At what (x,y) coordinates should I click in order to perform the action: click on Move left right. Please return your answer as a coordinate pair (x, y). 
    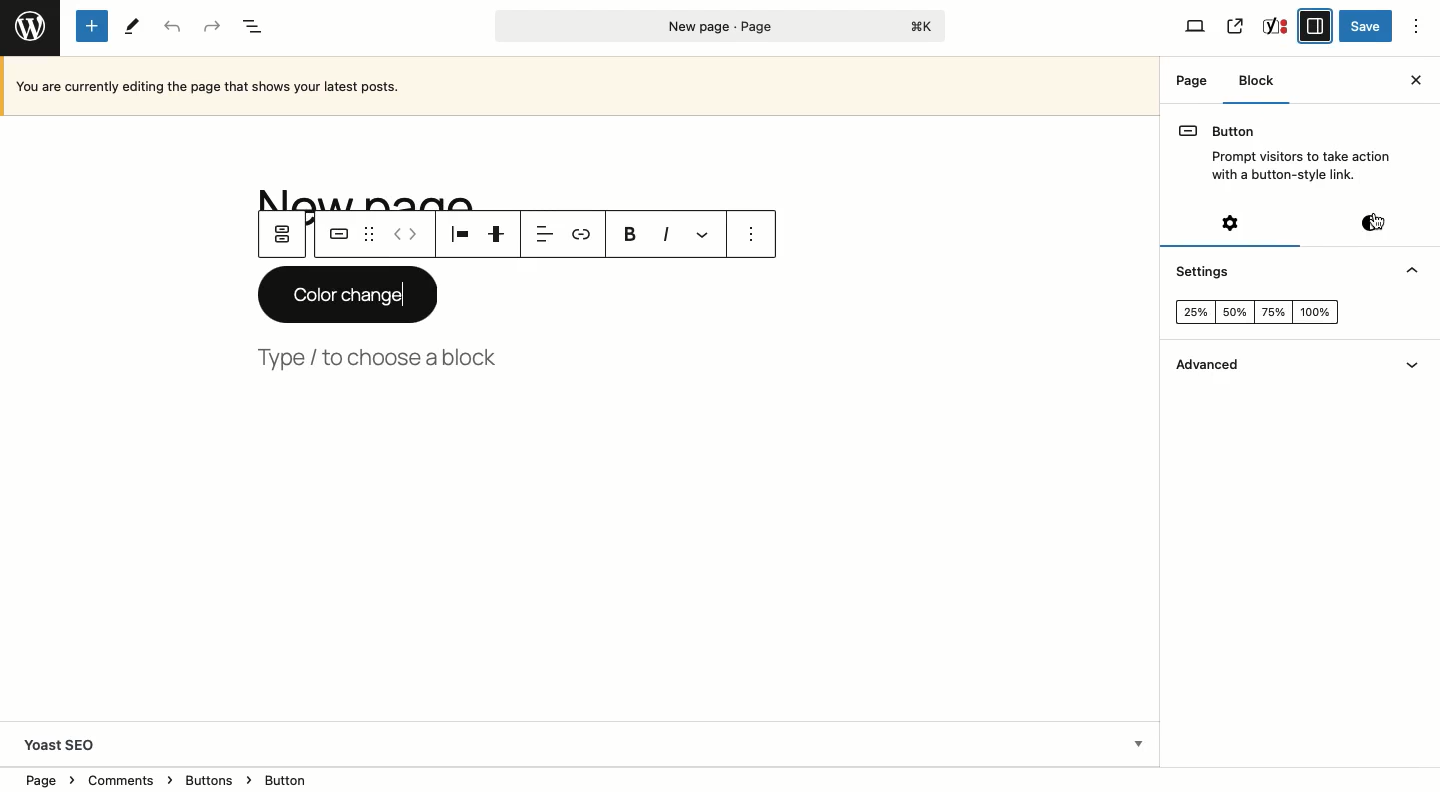
    Looking at the image, I should click on (405, 235).